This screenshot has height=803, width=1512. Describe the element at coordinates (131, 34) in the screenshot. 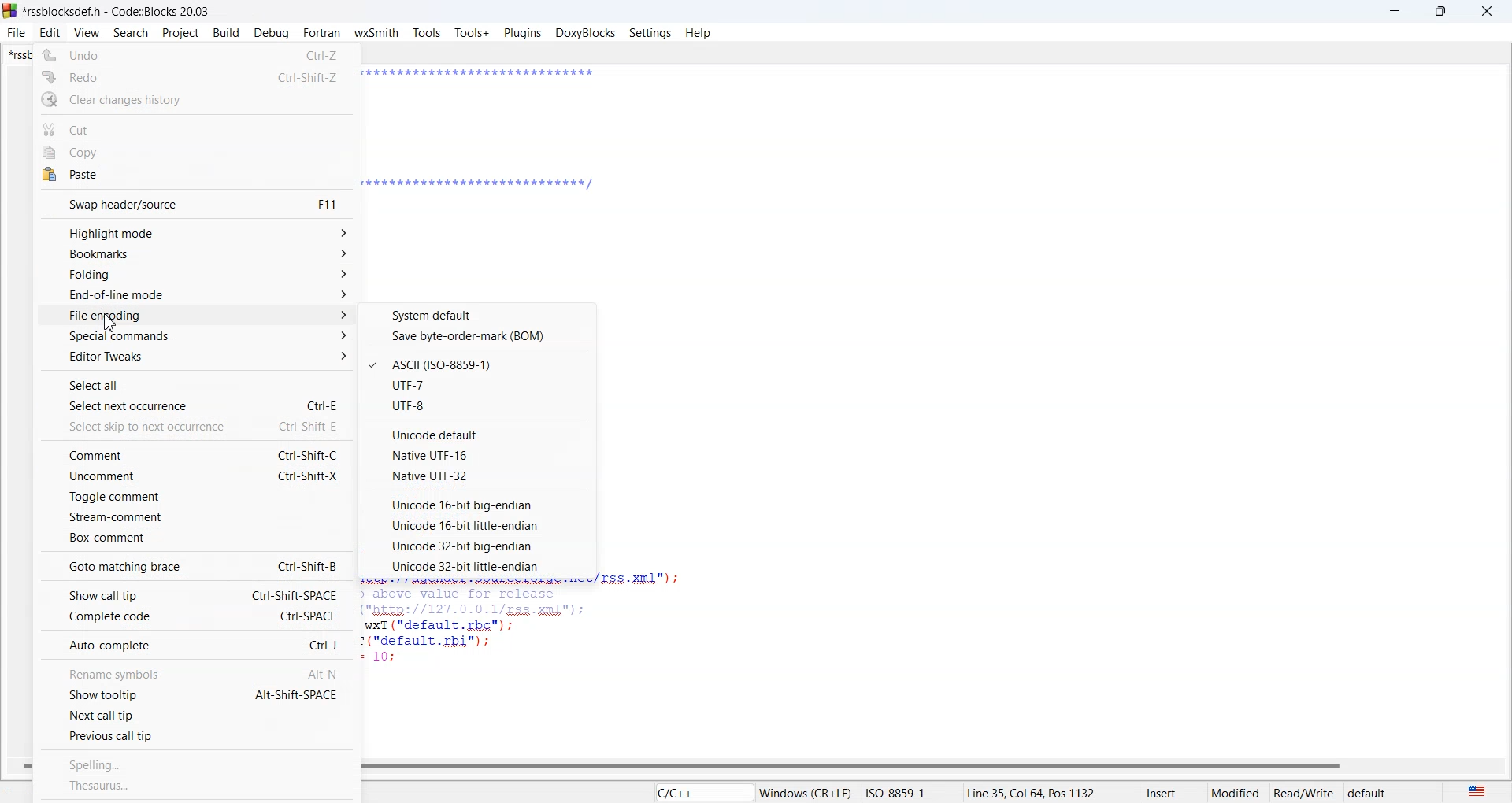

I see `Search` at that location.